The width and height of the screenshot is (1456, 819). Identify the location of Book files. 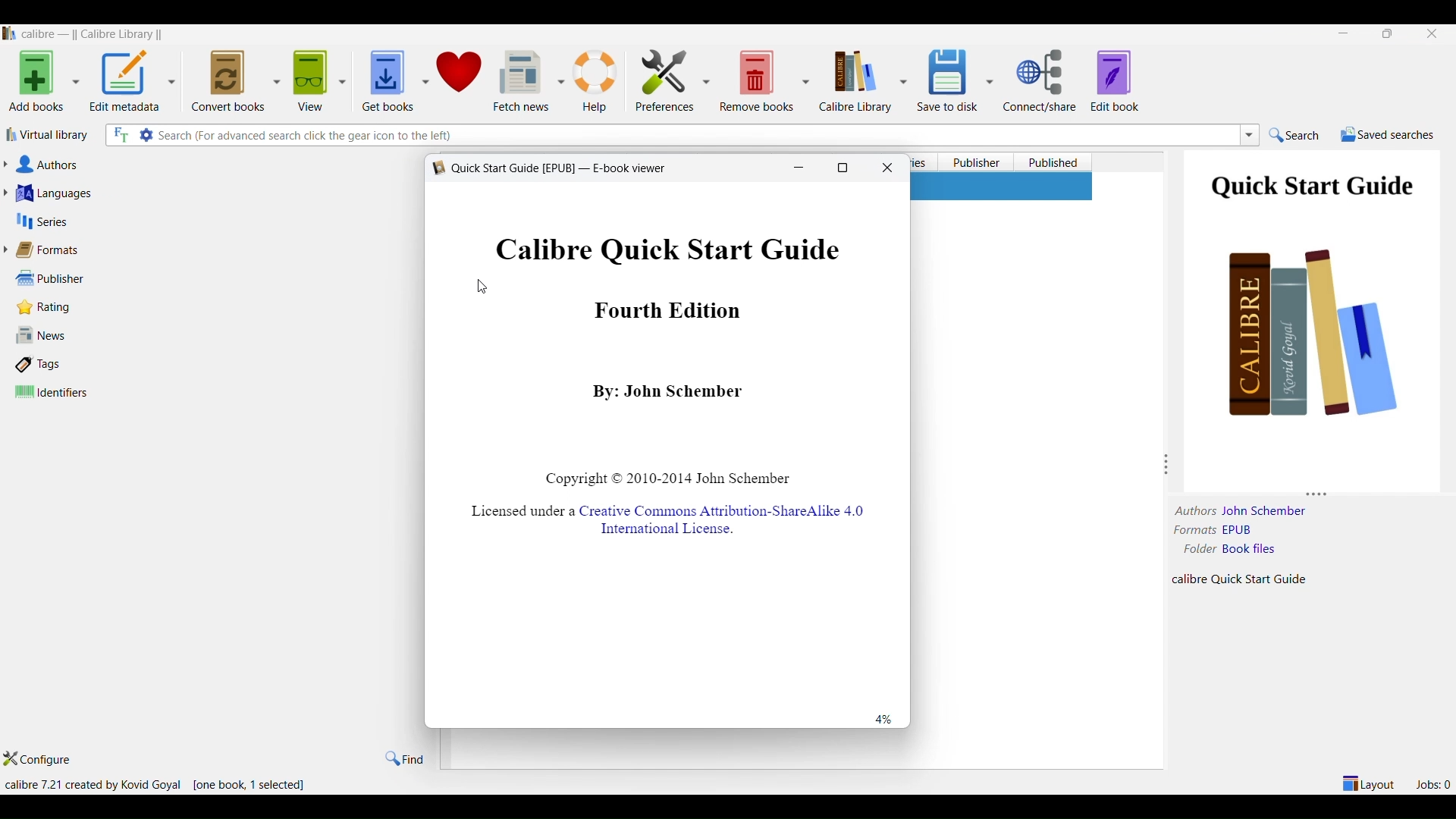
(1272, 551).